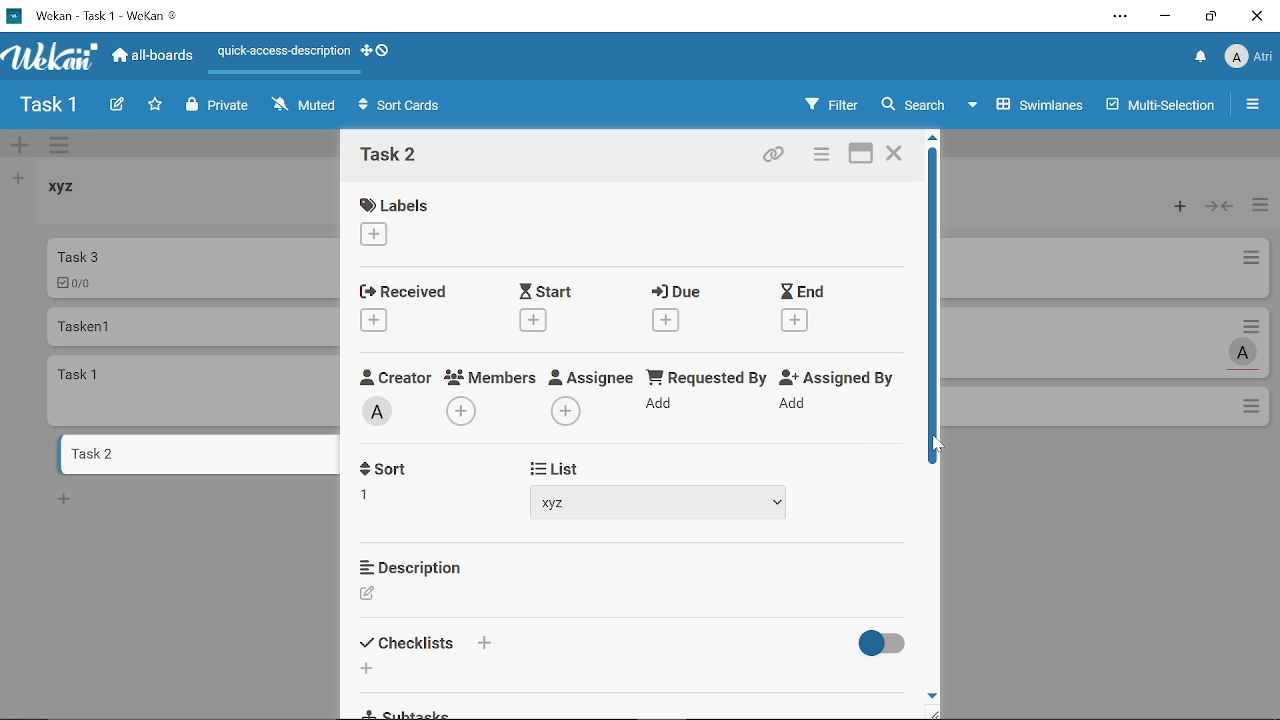 The width and height of the screenshot is (1280, 720). Describe the element at coordinates (1211, 16) in the screenshot. I see `Restore down` at that location.